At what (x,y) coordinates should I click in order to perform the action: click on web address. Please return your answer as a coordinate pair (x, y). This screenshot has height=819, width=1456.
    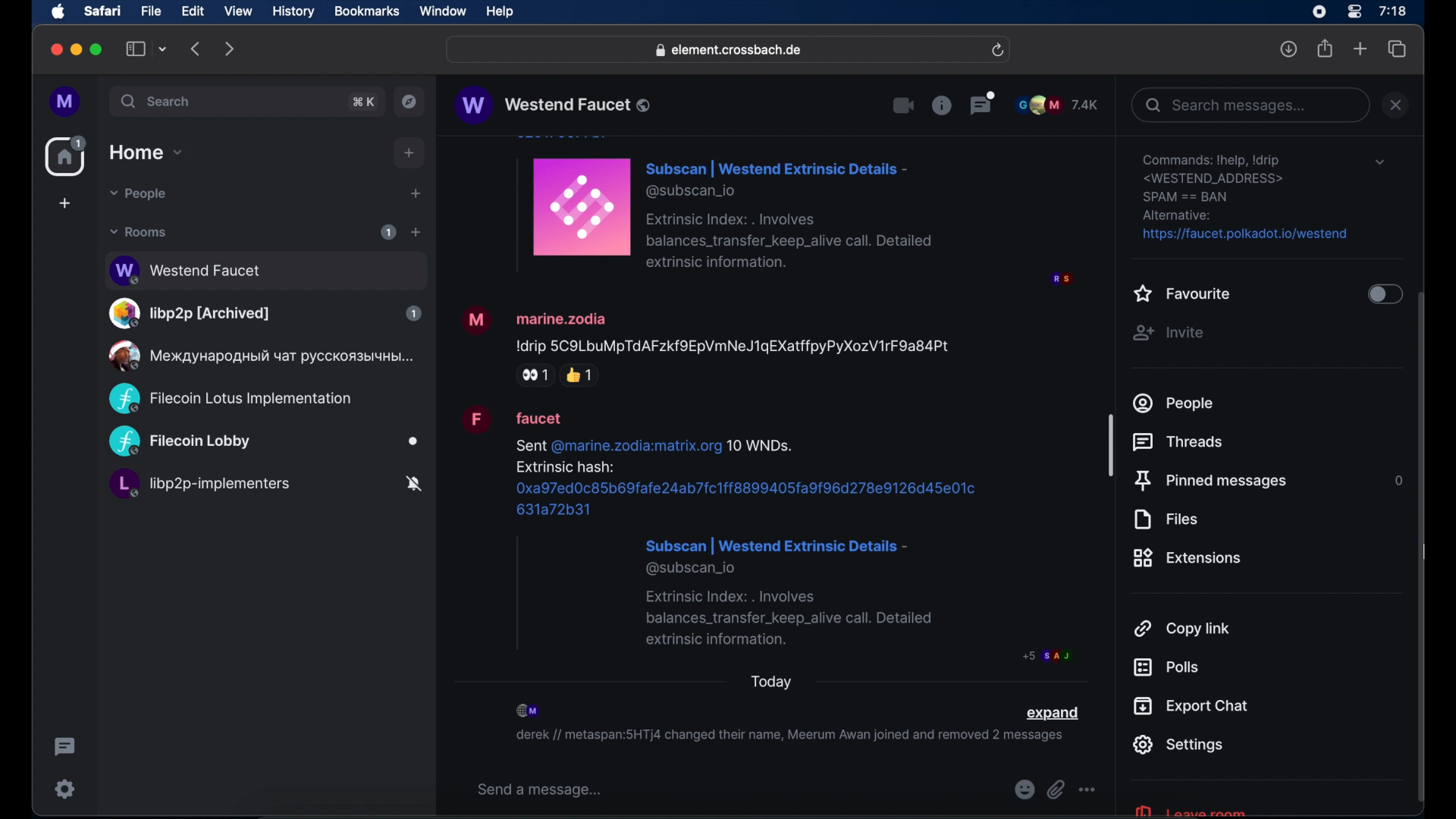
    Looking at the image, I should click on (730, 51).